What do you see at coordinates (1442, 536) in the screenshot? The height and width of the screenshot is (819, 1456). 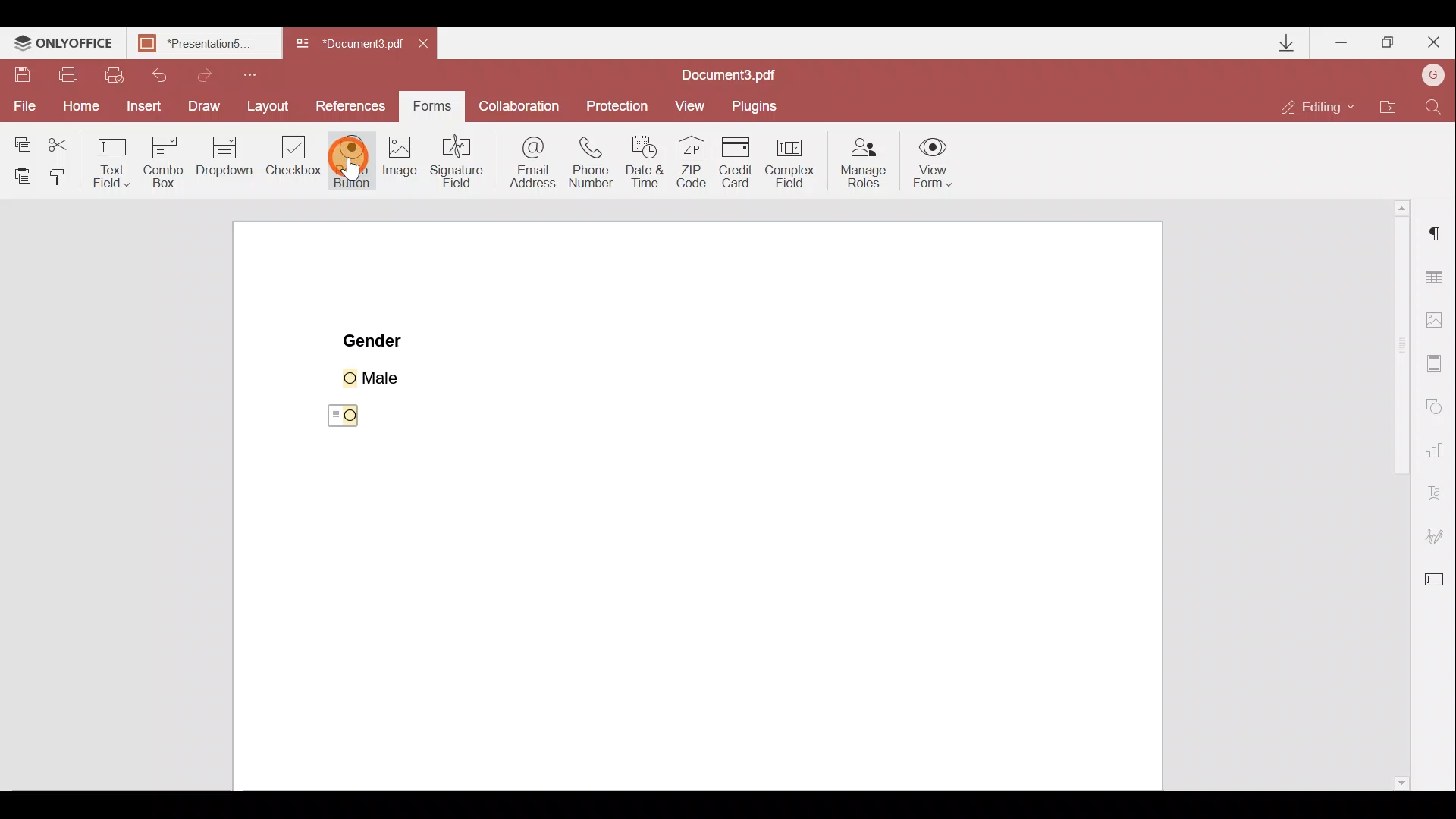 I see `Signature settings` at bounding box center [1442, 536].